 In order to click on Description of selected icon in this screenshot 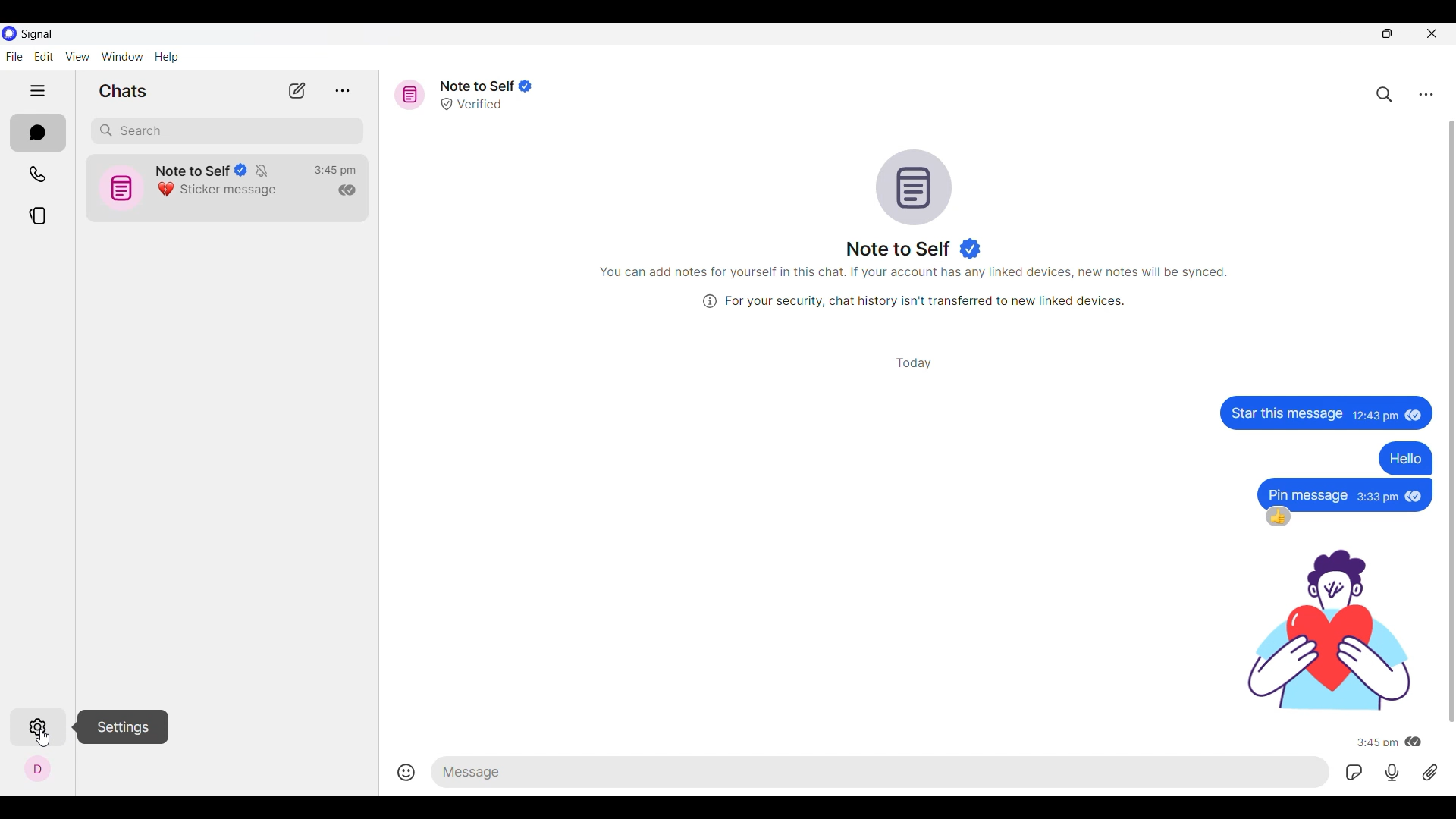, I will do `click(122, 727)`.